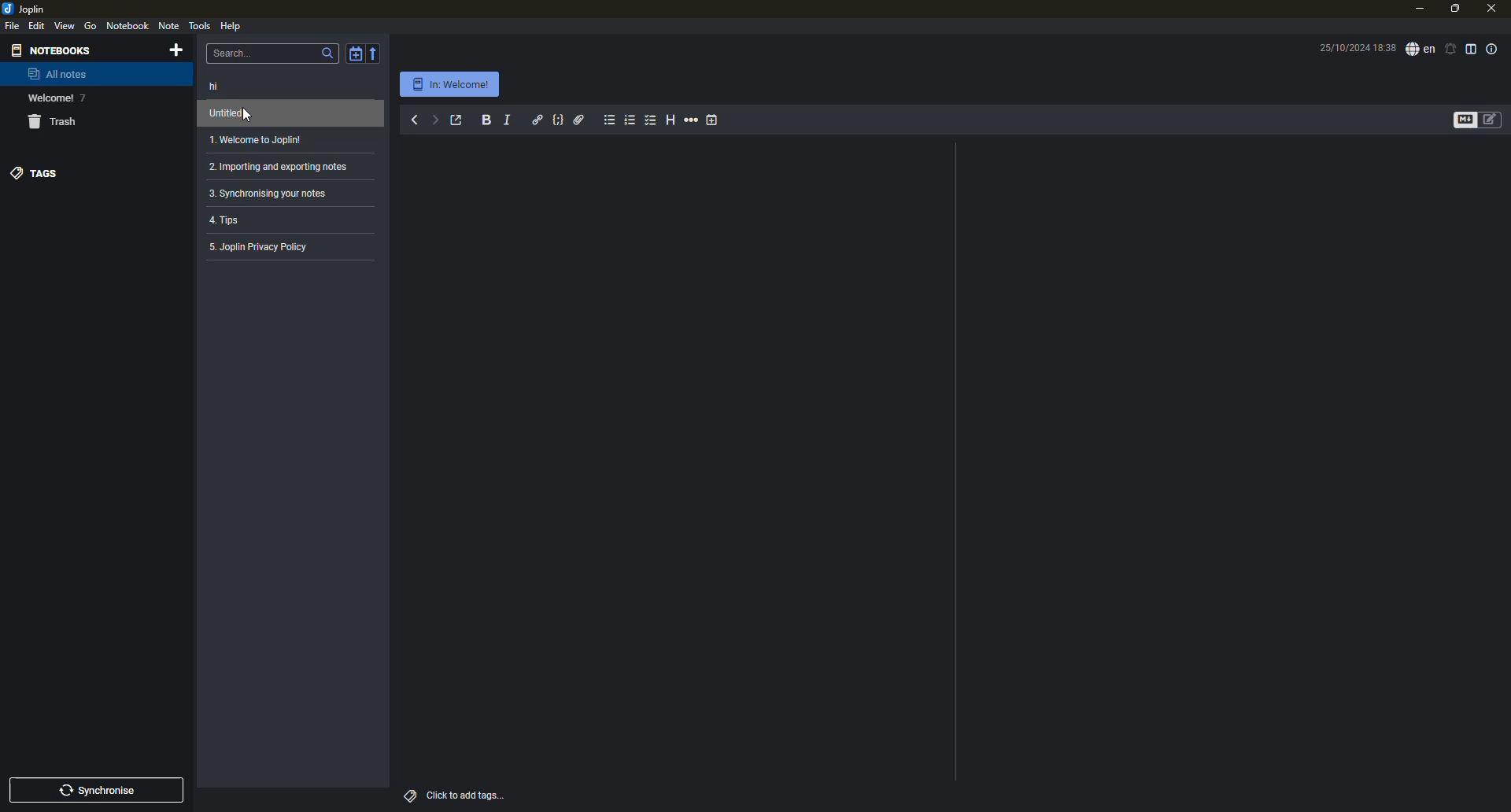 The width and height of the screenshot is (1511, 812). What do you see at coordinates (12, 25) in the screenshot?
I see `file` at bounding box center [12, 25].